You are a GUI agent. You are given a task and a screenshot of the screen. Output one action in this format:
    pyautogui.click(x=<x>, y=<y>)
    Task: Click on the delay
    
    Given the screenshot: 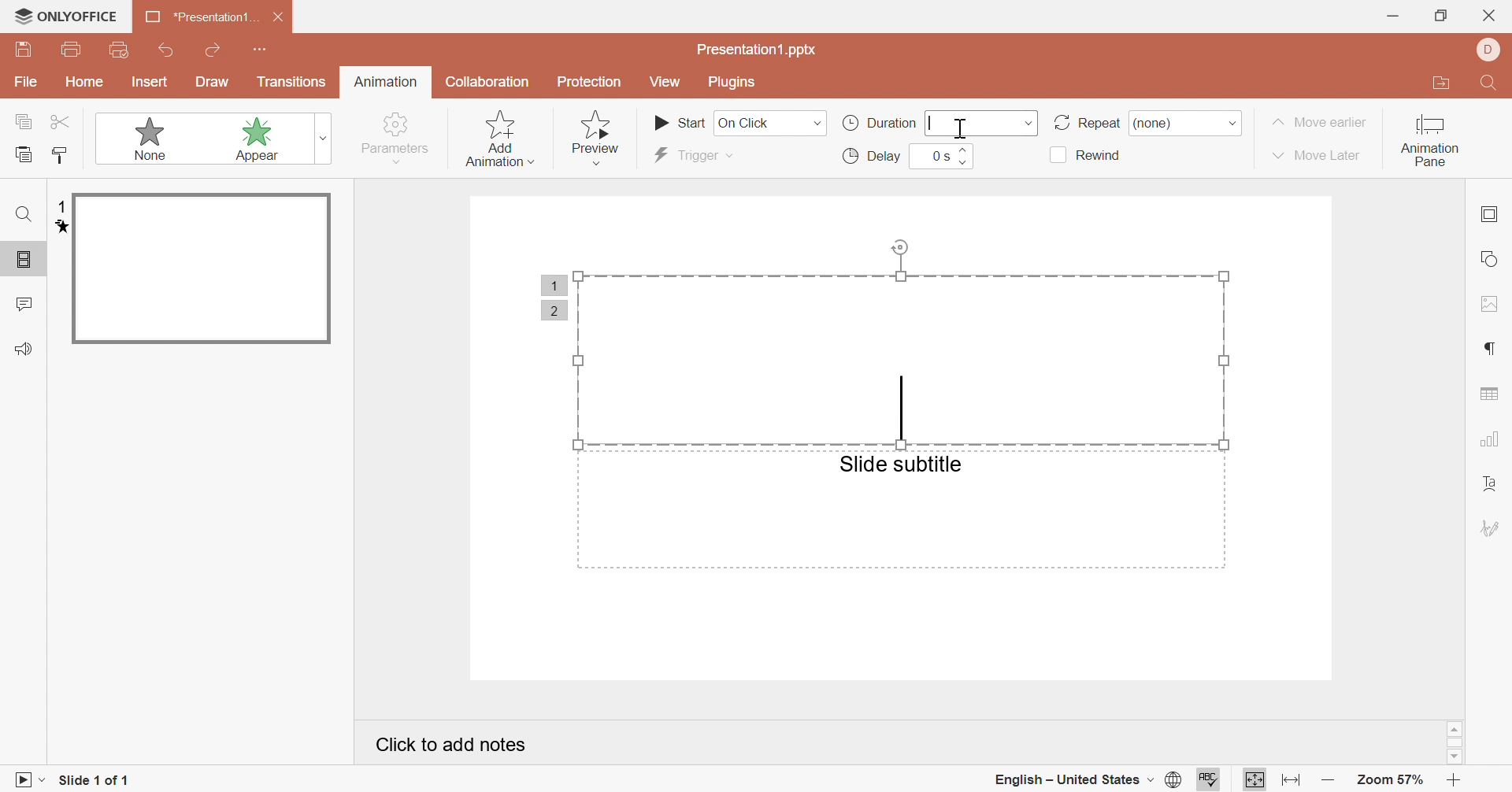 What is the action you would take?
    pyautogui.click(x=873, y=156)
    